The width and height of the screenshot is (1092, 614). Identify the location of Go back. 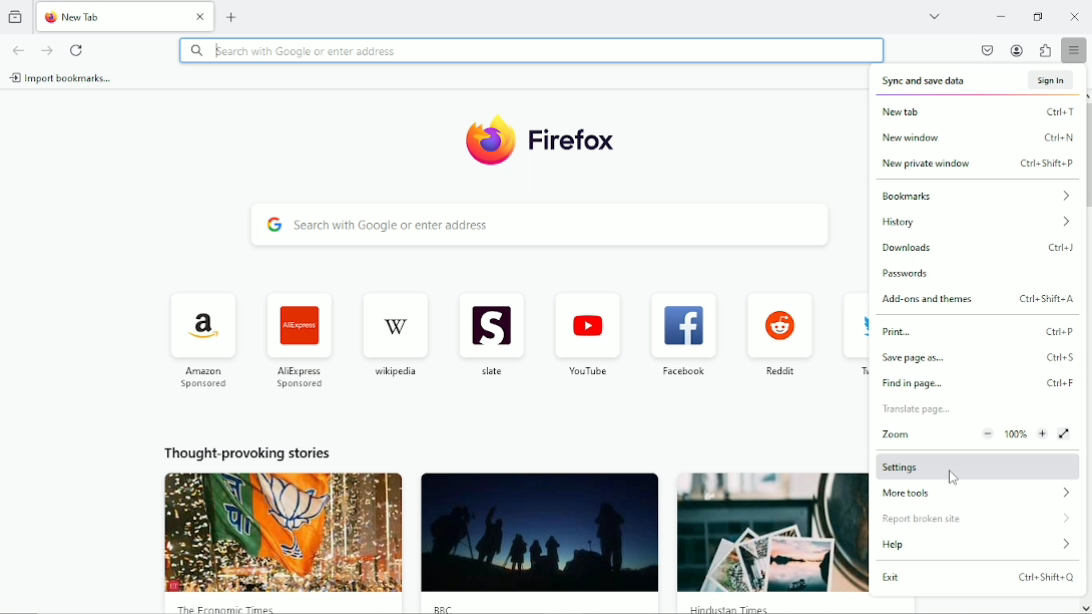
(18, 49).